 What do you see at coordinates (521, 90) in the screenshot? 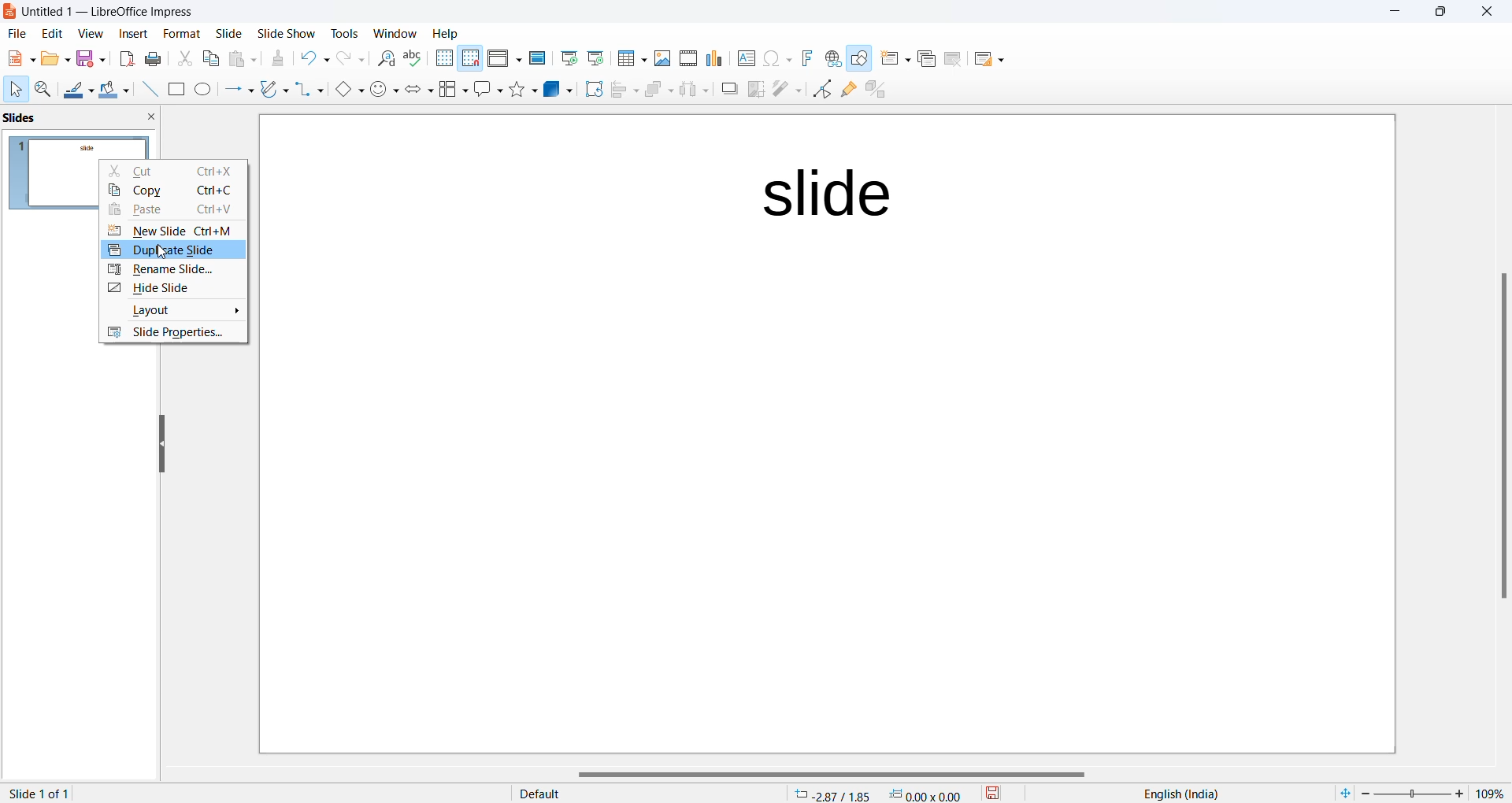
I see `Shapes` at bounding box center [521, 90].